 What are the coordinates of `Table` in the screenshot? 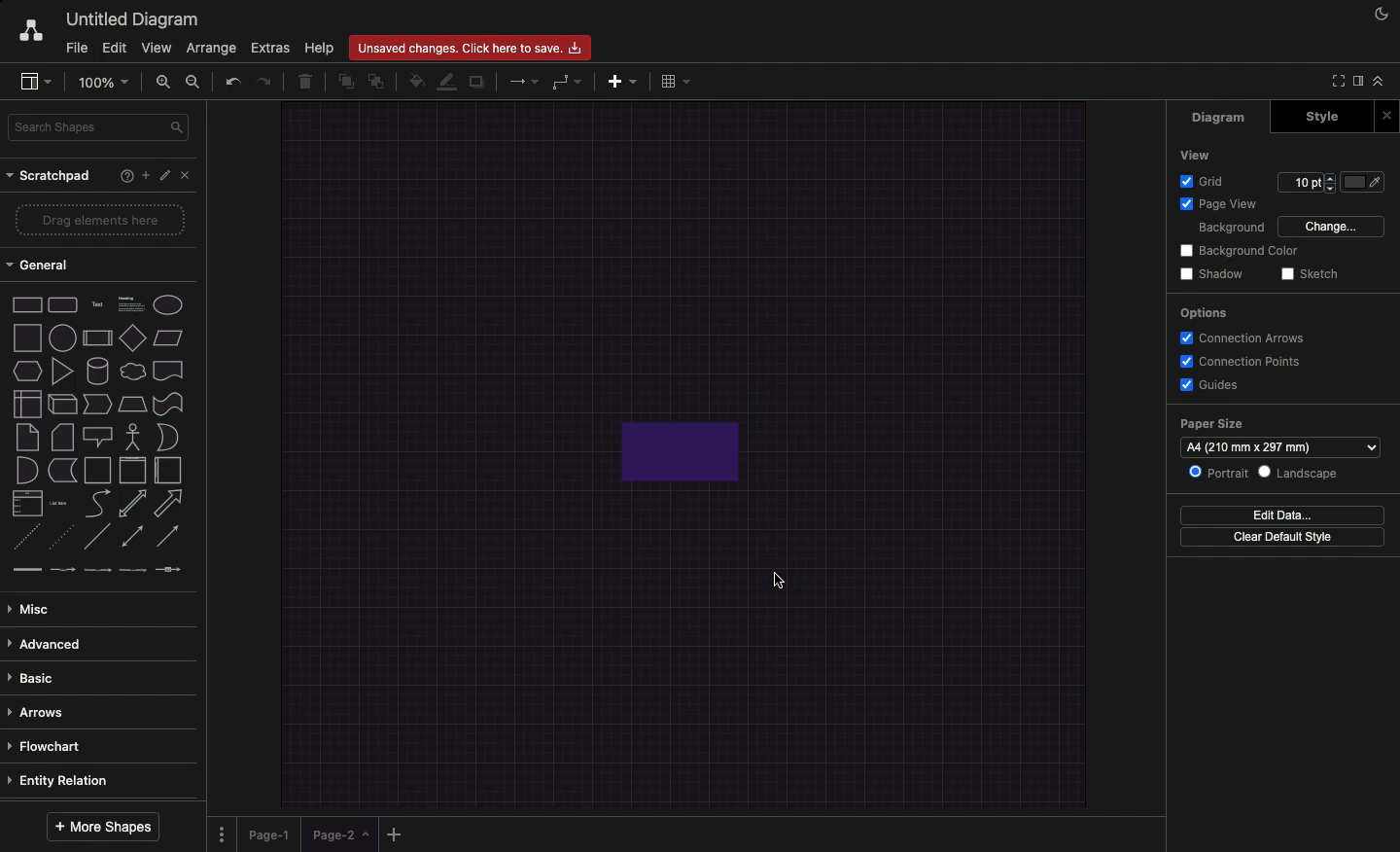 It's located at (673, 81).